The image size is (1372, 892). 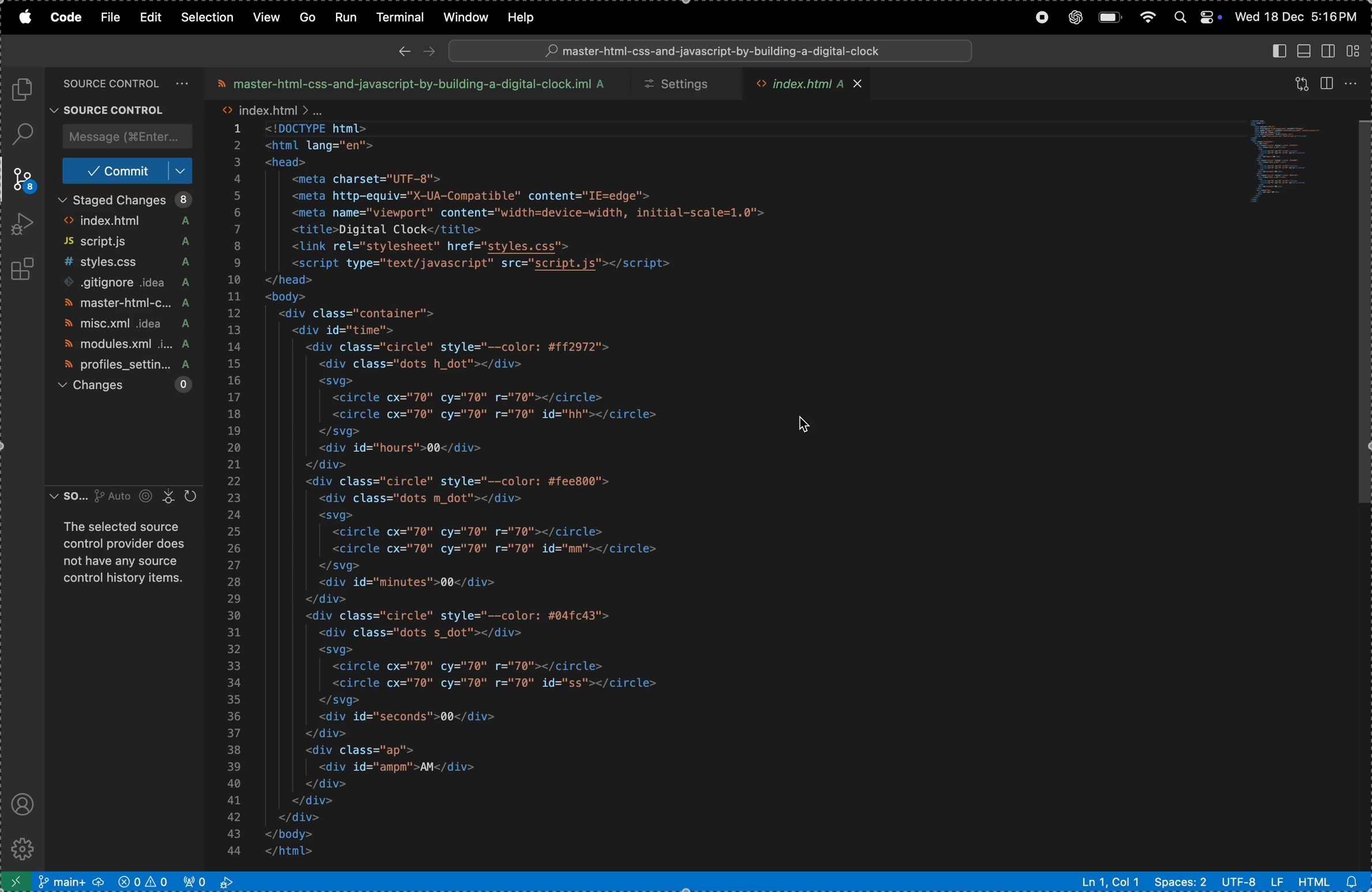 I want to click on chatgpt, so click(x=1073, y=18).